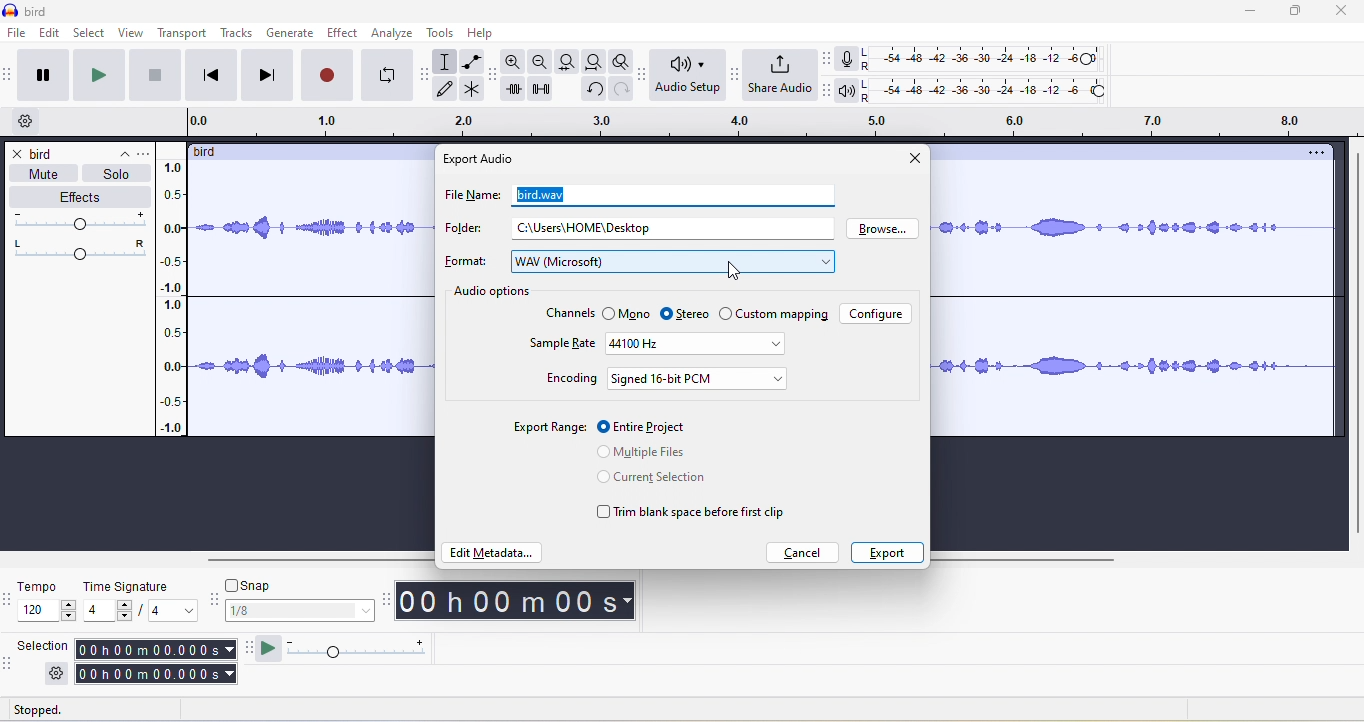 The image size is (1364, 722). I want to click on click and drag to define a looping region , so click(763, 123).